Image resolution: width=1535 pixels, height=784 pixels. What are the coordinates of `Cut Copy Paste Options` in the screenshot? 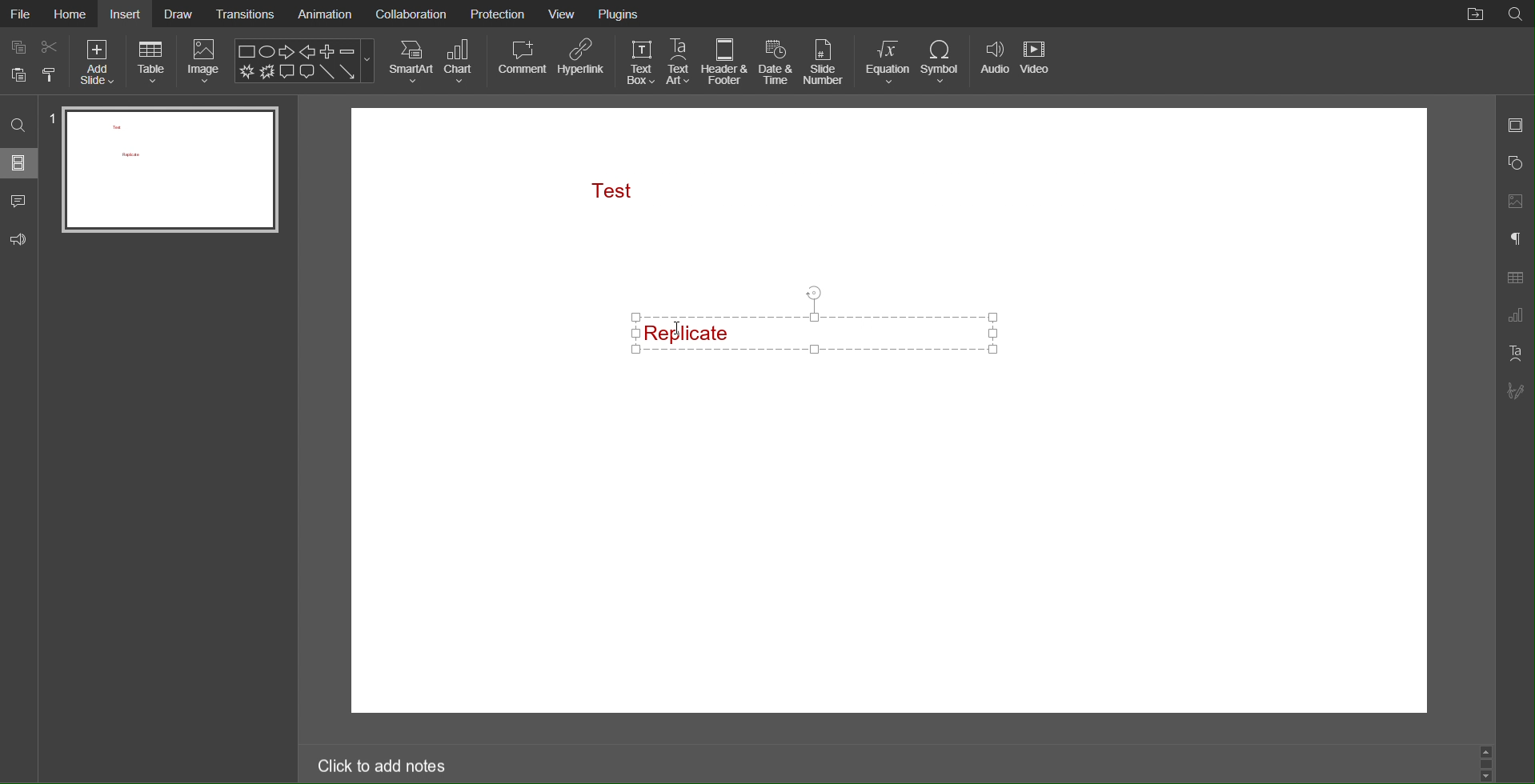 It's located at (35, 63).